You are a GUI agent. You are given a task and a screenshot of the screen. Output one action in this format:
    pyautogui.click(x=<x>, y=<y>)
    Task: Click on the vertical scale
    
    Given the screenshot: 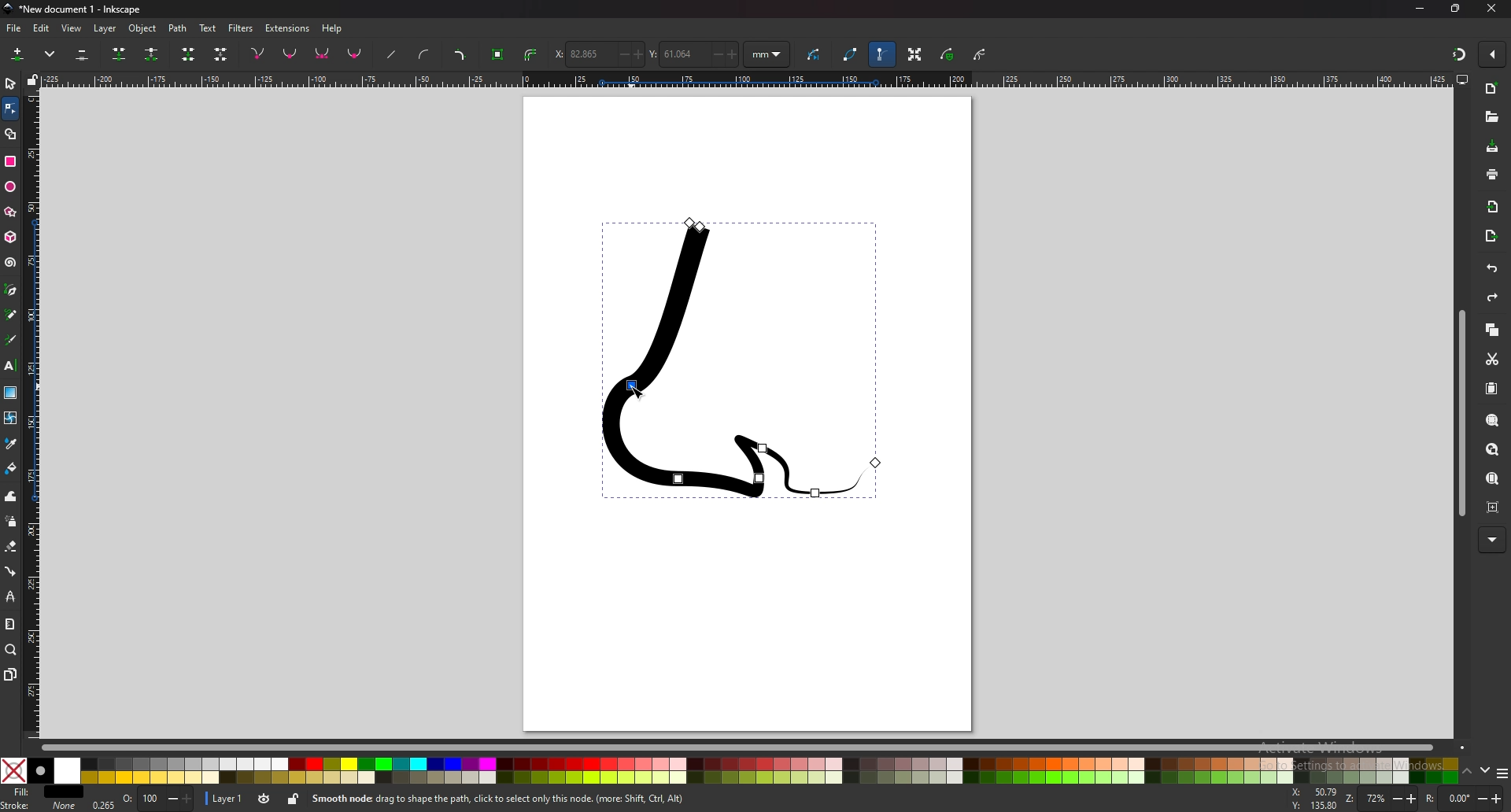 What is the action you would take?
    pyautogui.click(x=31, y=413)
    